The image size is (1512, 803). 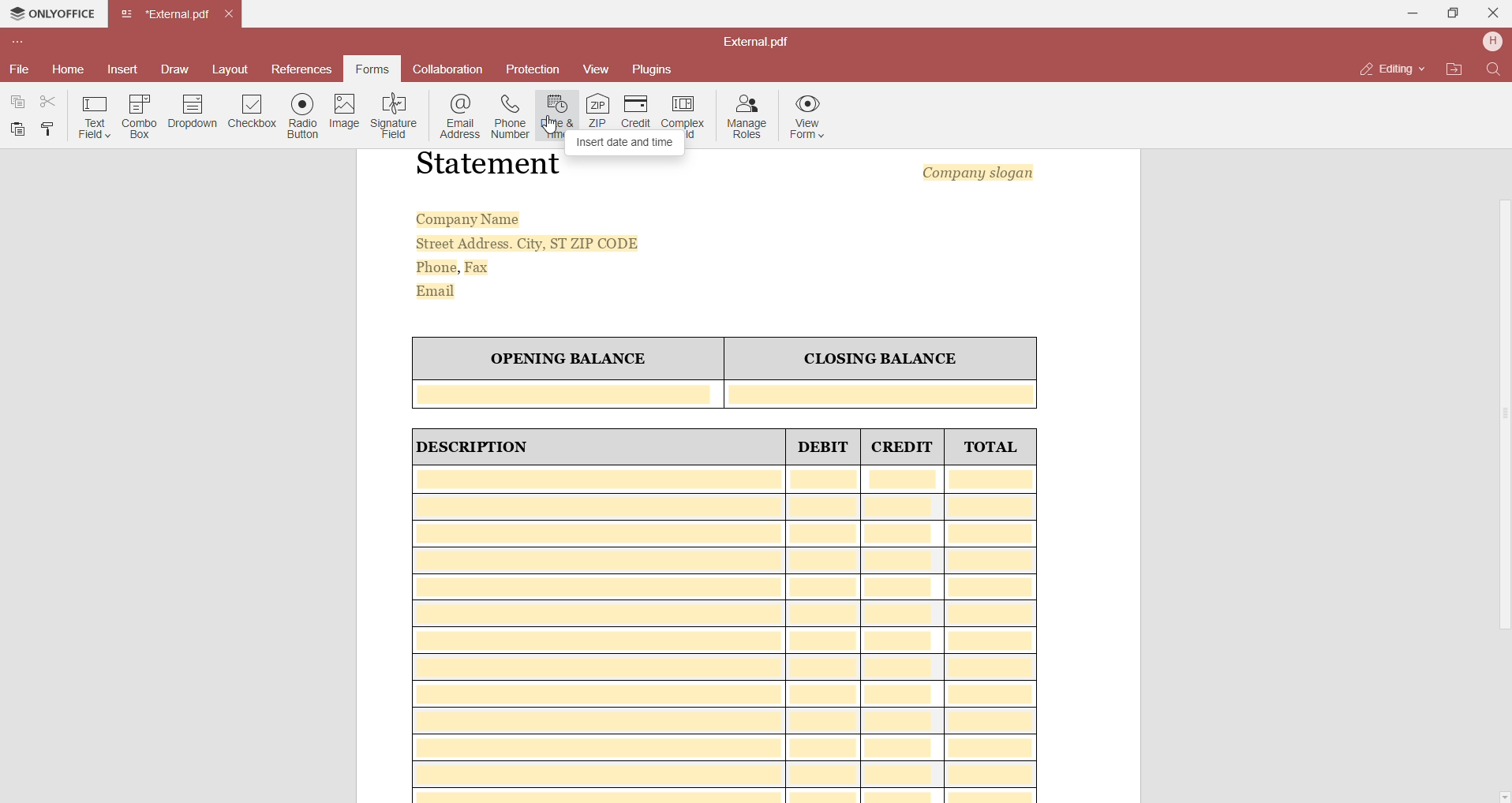 I want to click on Complex Field, so click(x=686, y=109).